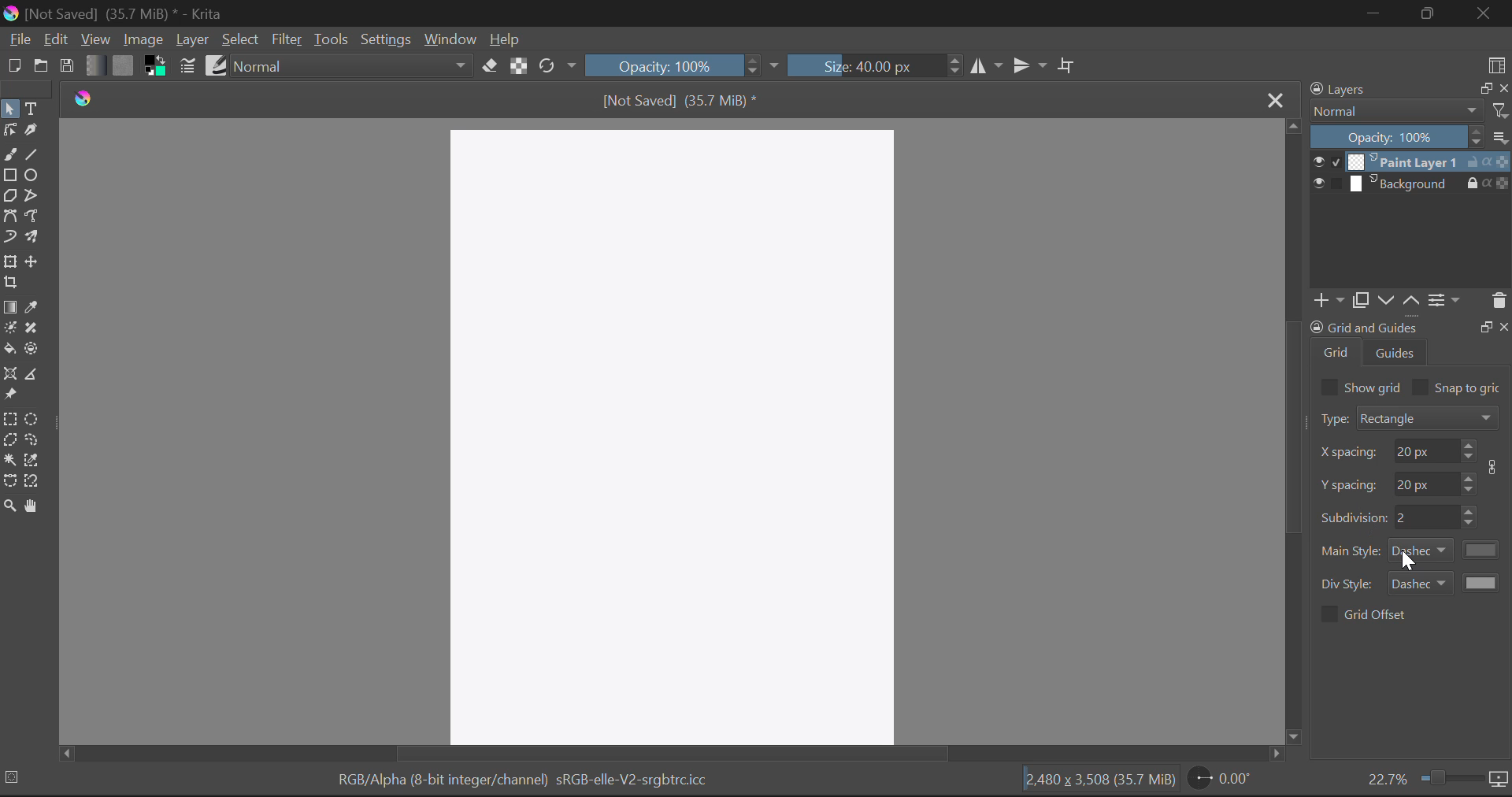 The image size is (1512, 797). Describe the element at coordinates (1328, 614) in the screenshot. I see `checkbox` at that location.